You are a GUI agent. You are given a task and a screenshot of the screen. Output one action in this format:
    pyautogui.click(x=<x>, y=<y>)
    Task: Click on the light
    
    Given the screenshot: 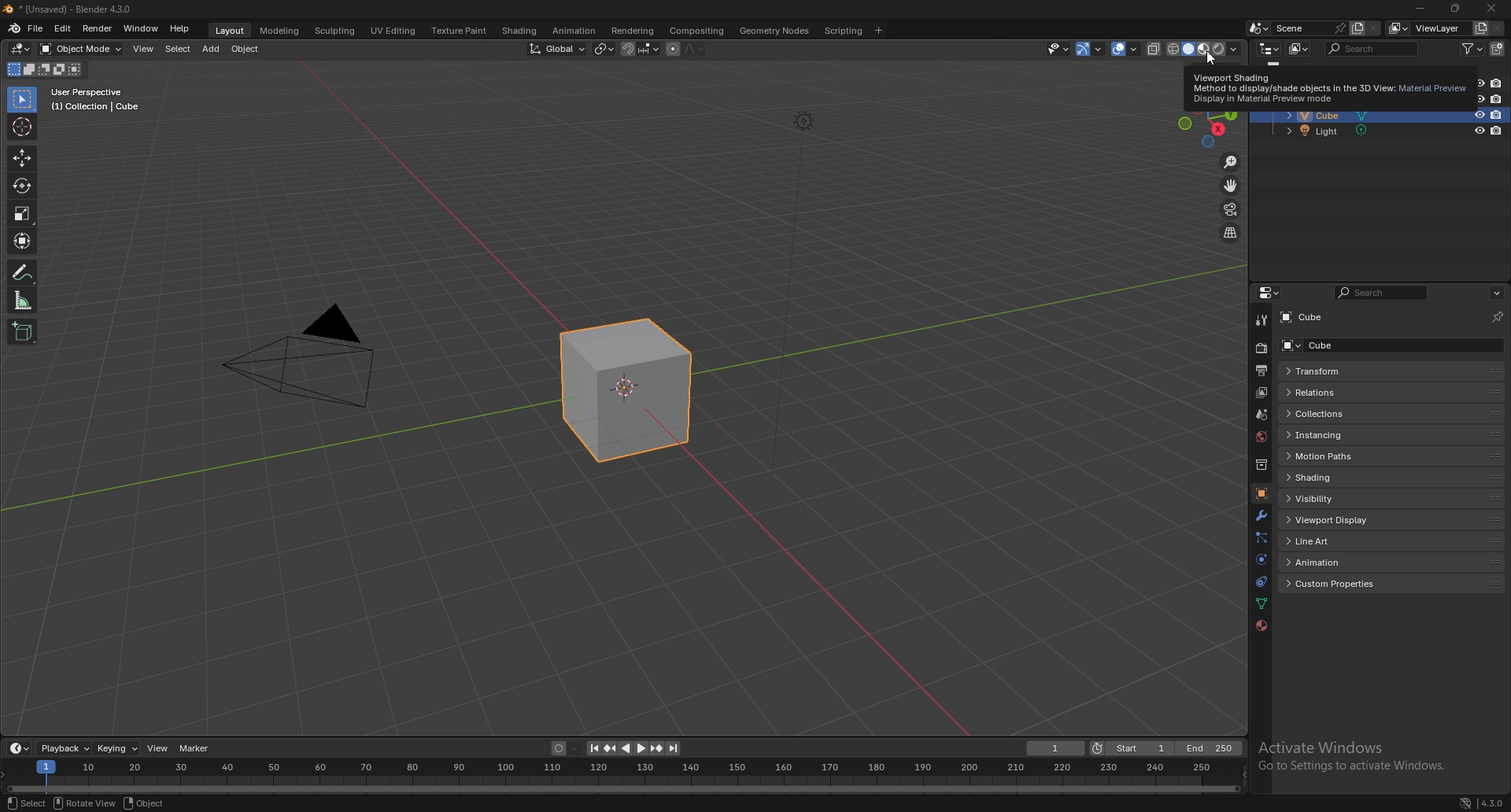 What is the action you would take?
    pyautogui.click(x=1321, y=131)
    